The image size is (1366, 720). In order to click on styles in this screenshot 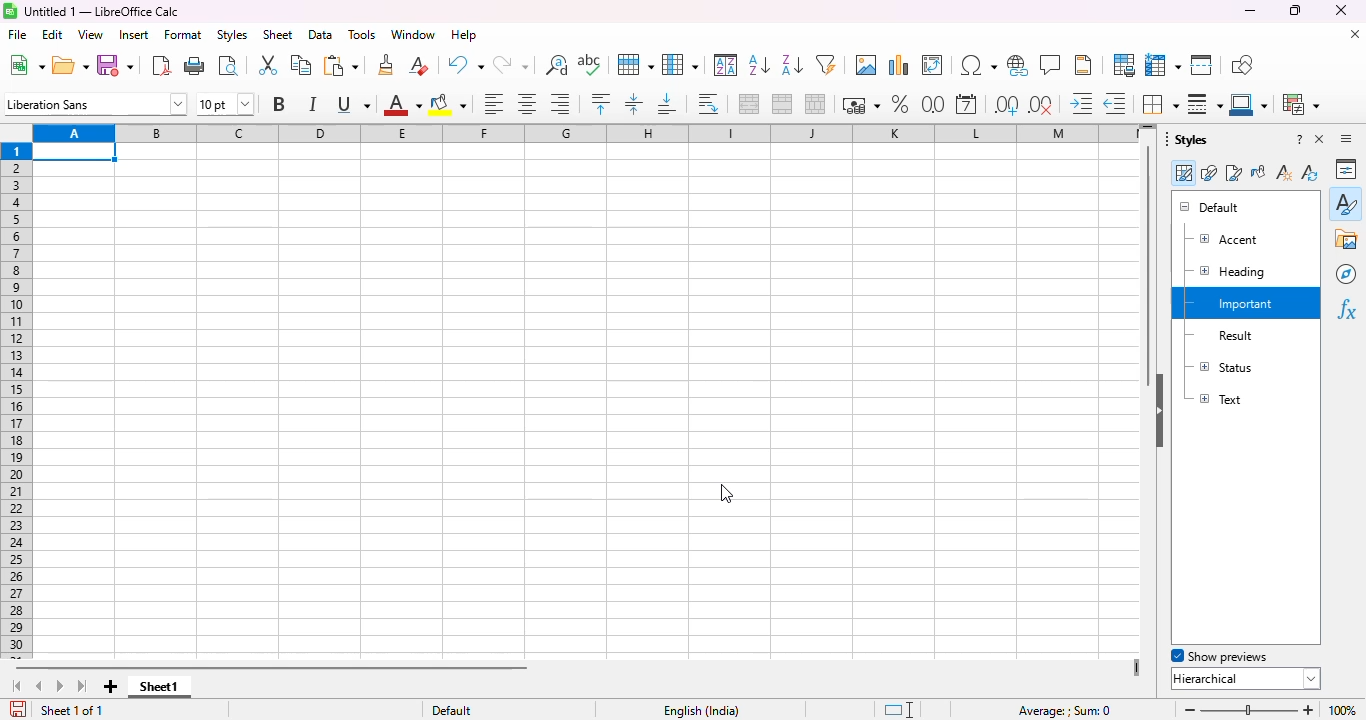, I will do `click(1347, 202)`.